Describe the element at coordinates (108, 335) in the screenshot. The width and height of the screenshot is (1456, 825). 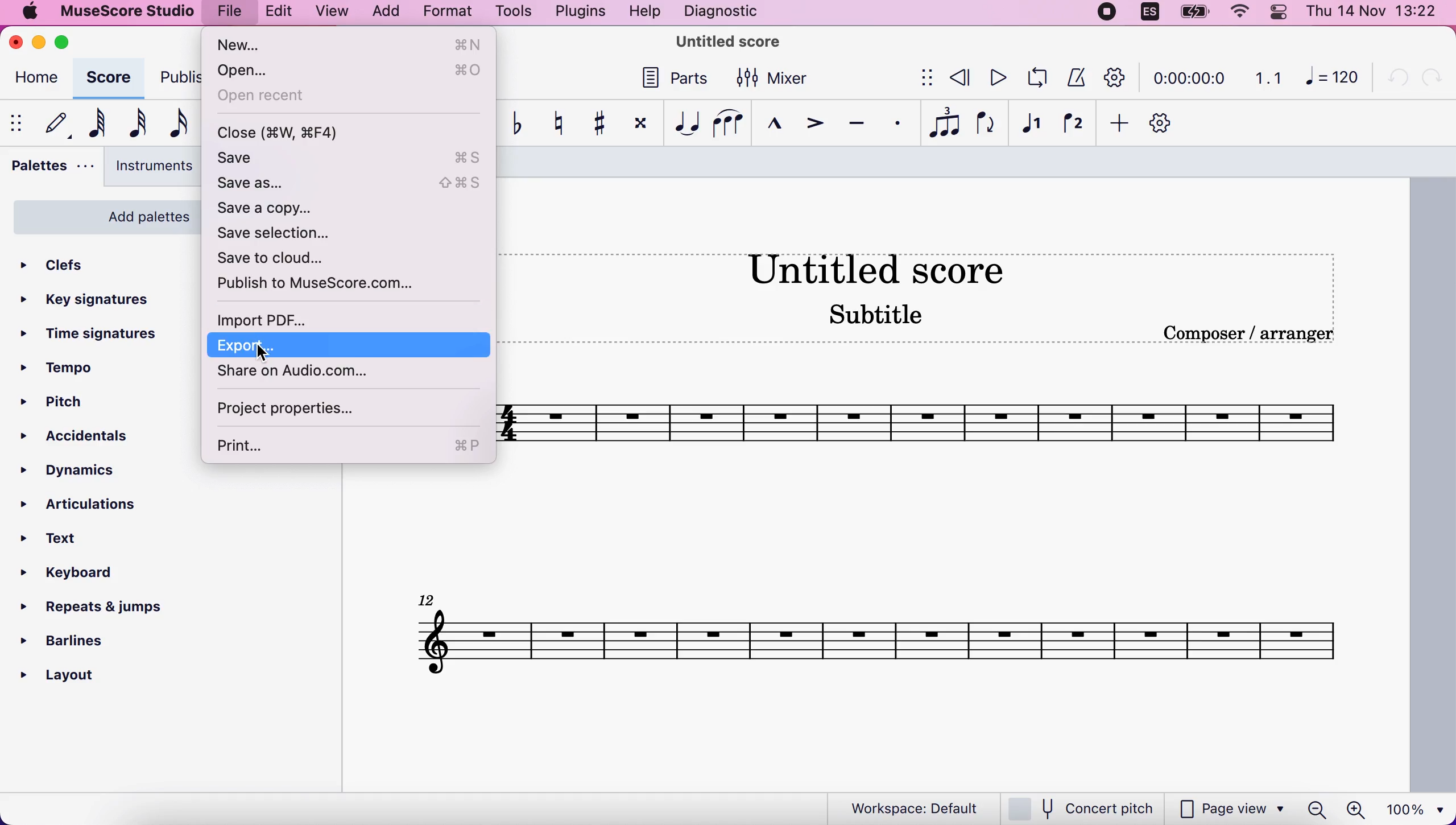
I see `time signatures` at that location.